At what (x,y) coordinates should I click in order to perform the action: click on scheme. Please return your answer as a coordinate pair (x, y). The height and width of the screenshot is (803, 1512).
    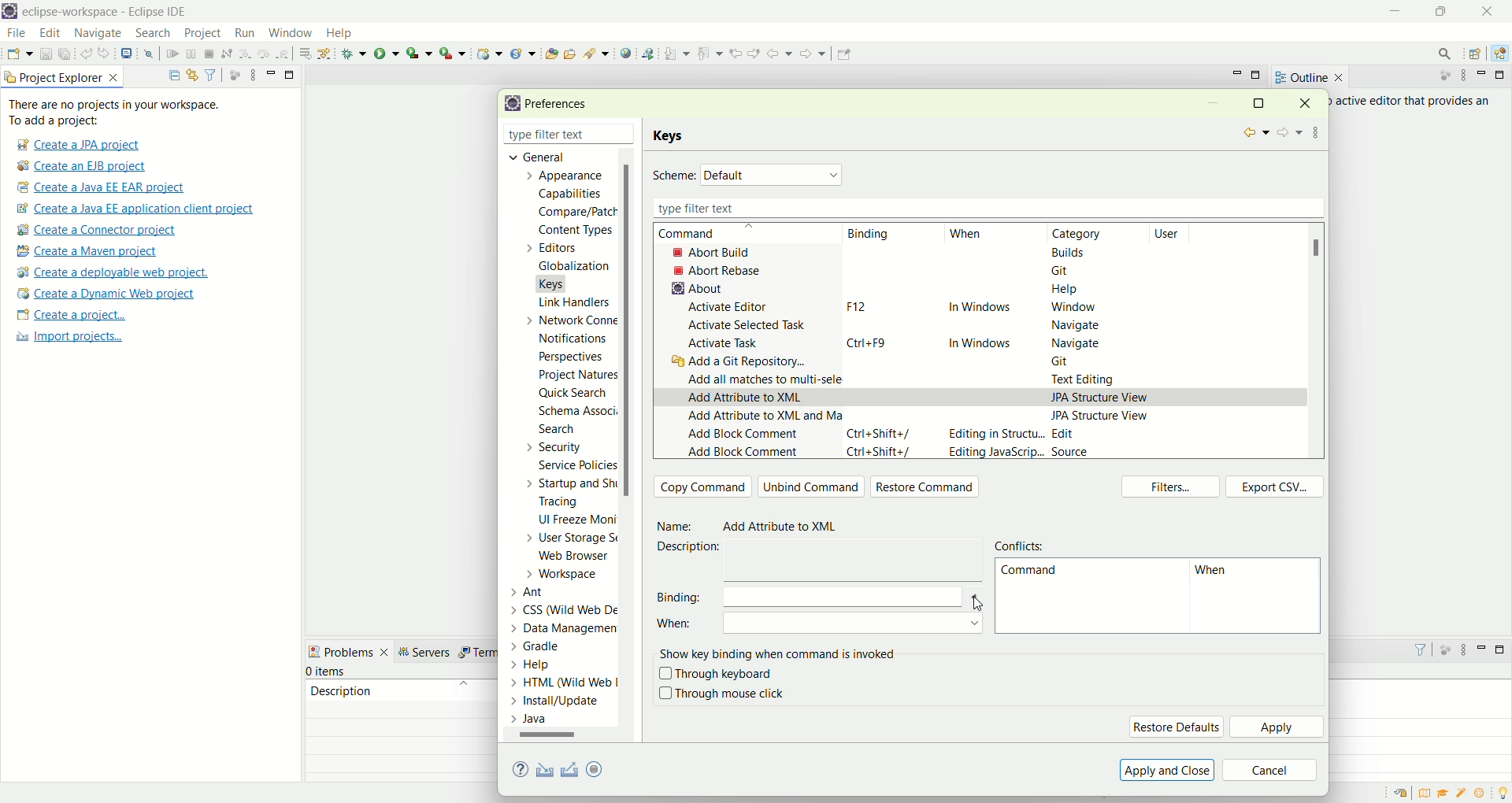
    Looking at the image, I should click on (674, 176).